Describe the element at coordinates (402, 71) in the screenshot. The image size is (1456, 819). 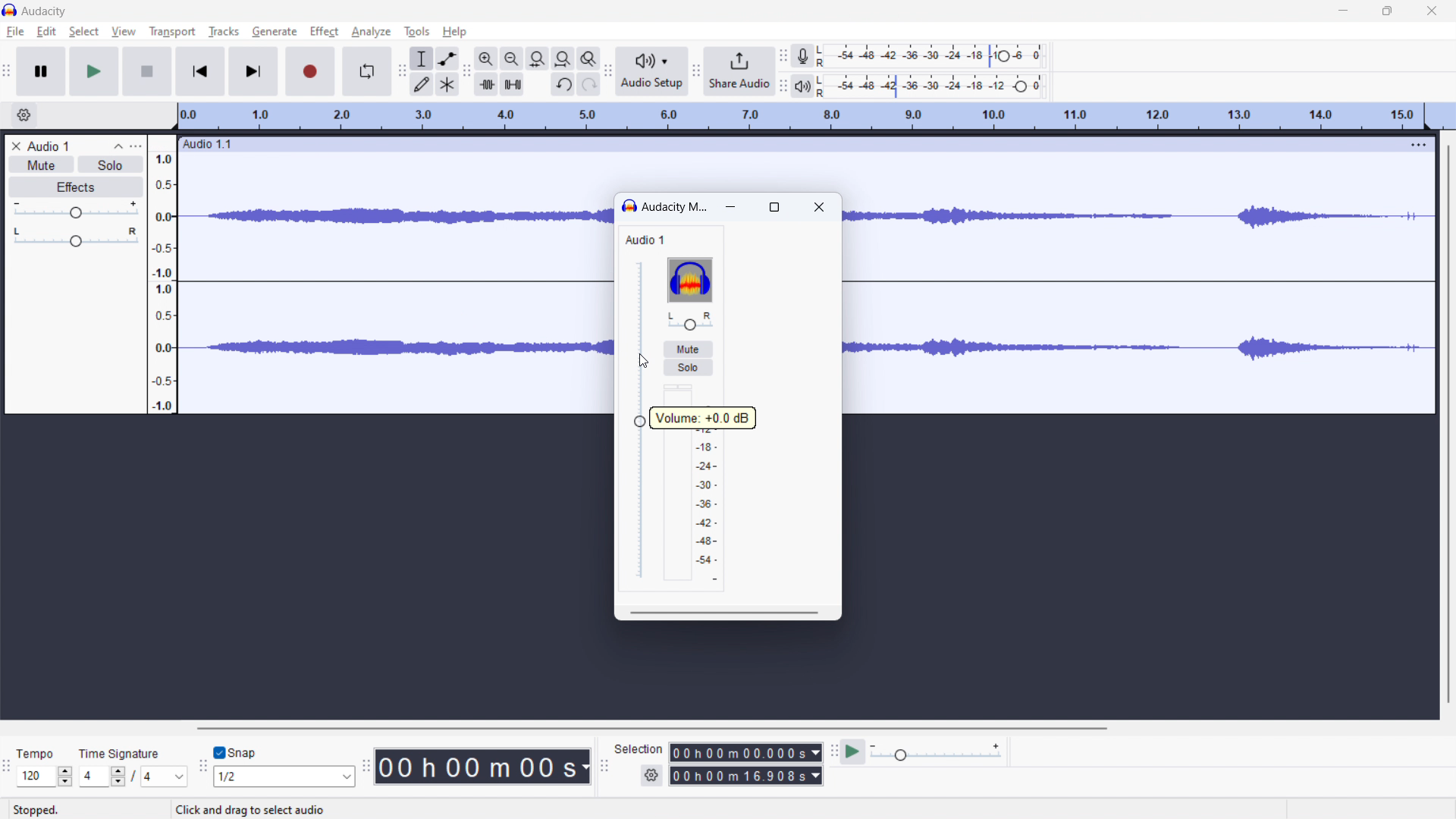
I see `tools toolbar` at that location.